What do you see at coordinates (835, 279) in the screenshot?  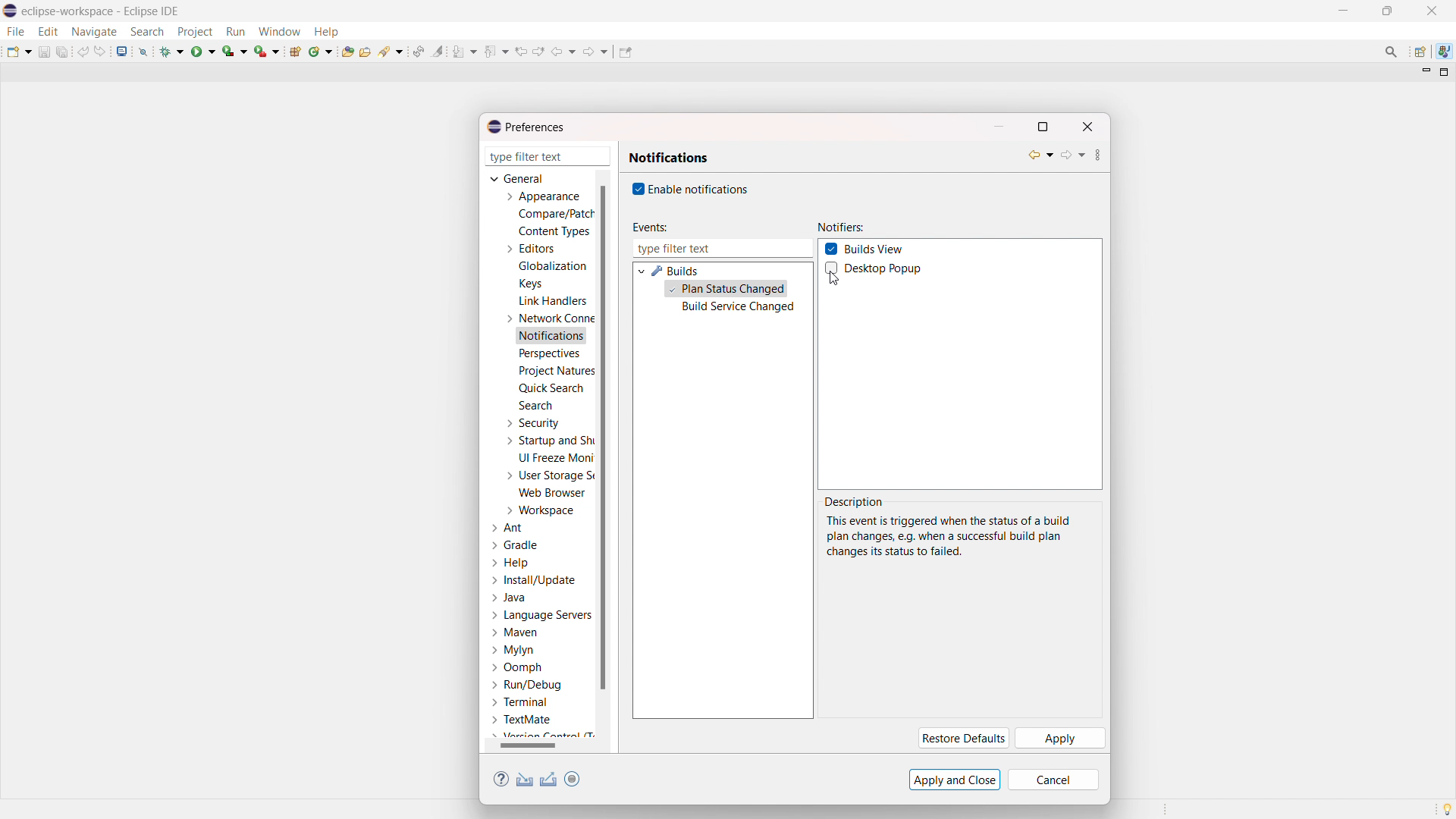 I see `cursor` at bounding box center [835, 279].